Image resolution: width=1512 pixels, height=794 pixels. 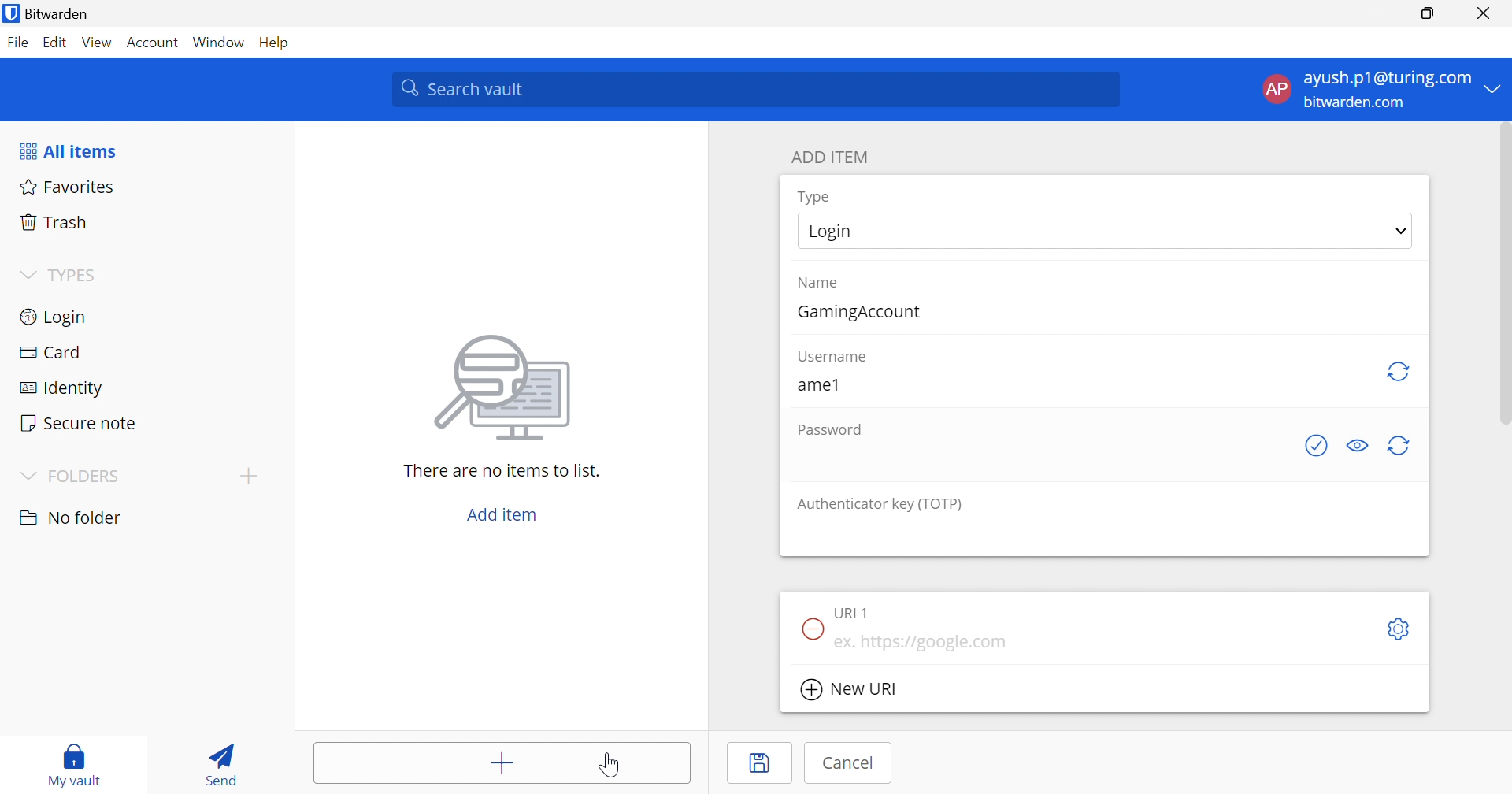 What do you see at coordinates (819, 196) in the screenshot?
I see `Type` at bounding box center [819, 196].